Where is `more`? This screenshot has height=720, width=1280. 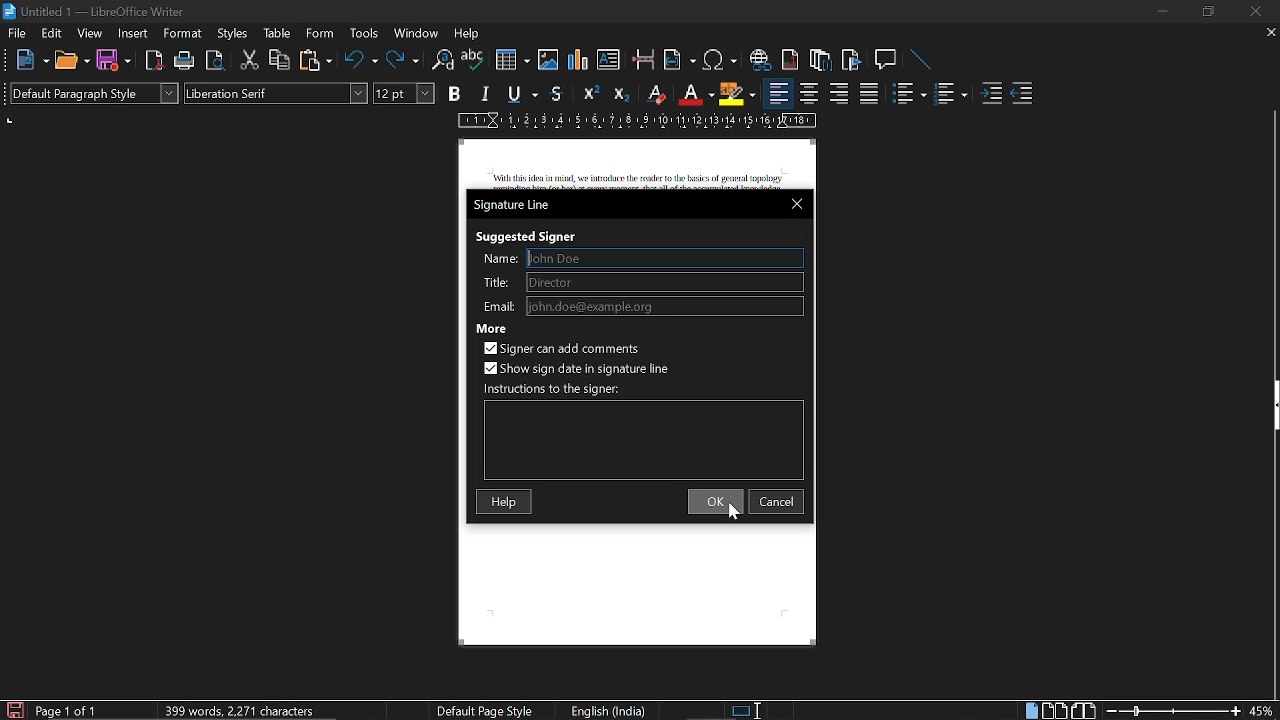 more is located at coordinates (491, 328).